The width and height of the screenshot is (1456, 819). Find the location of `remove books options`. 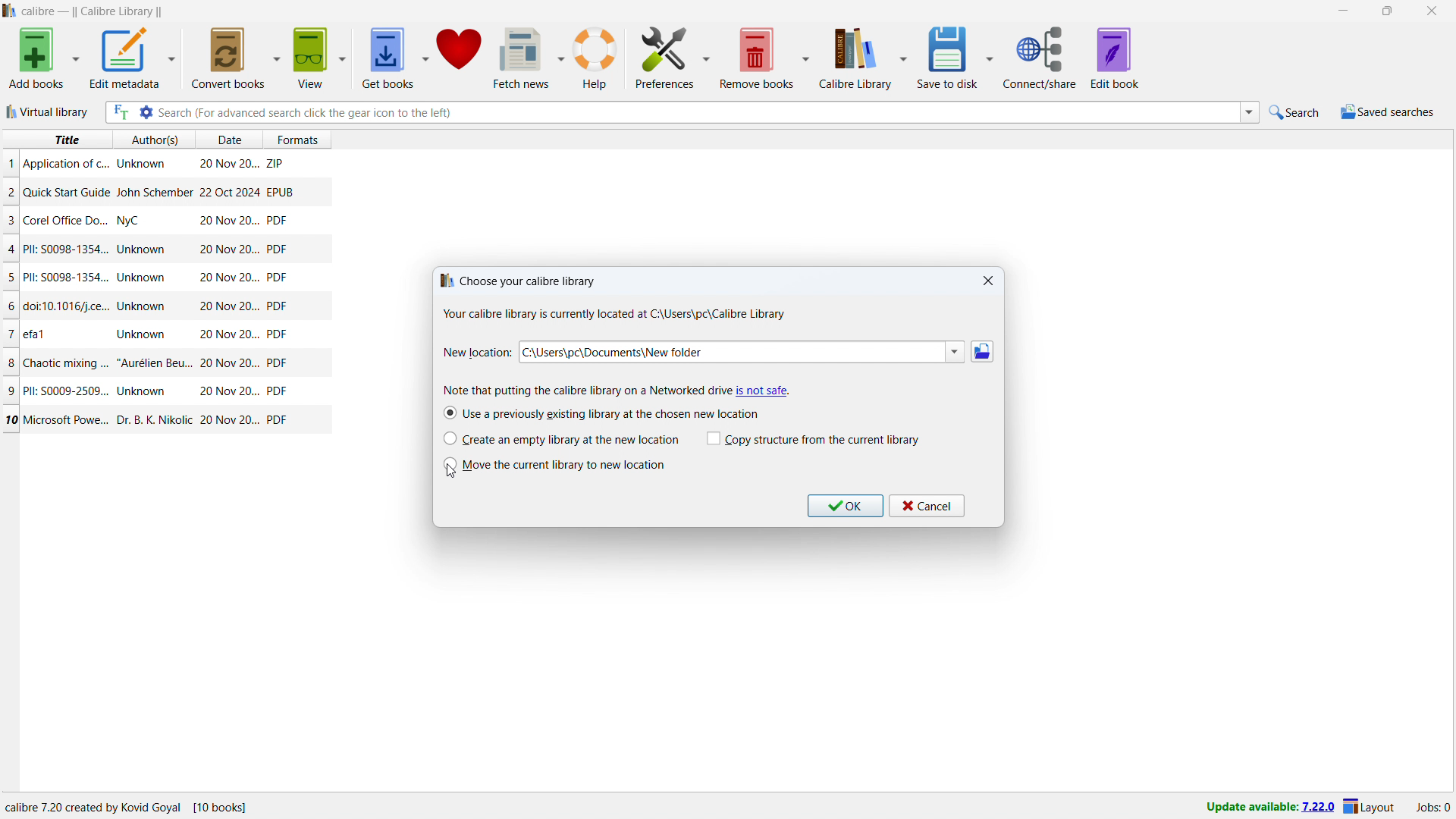

remove books options is located at coordinates (805, 58).